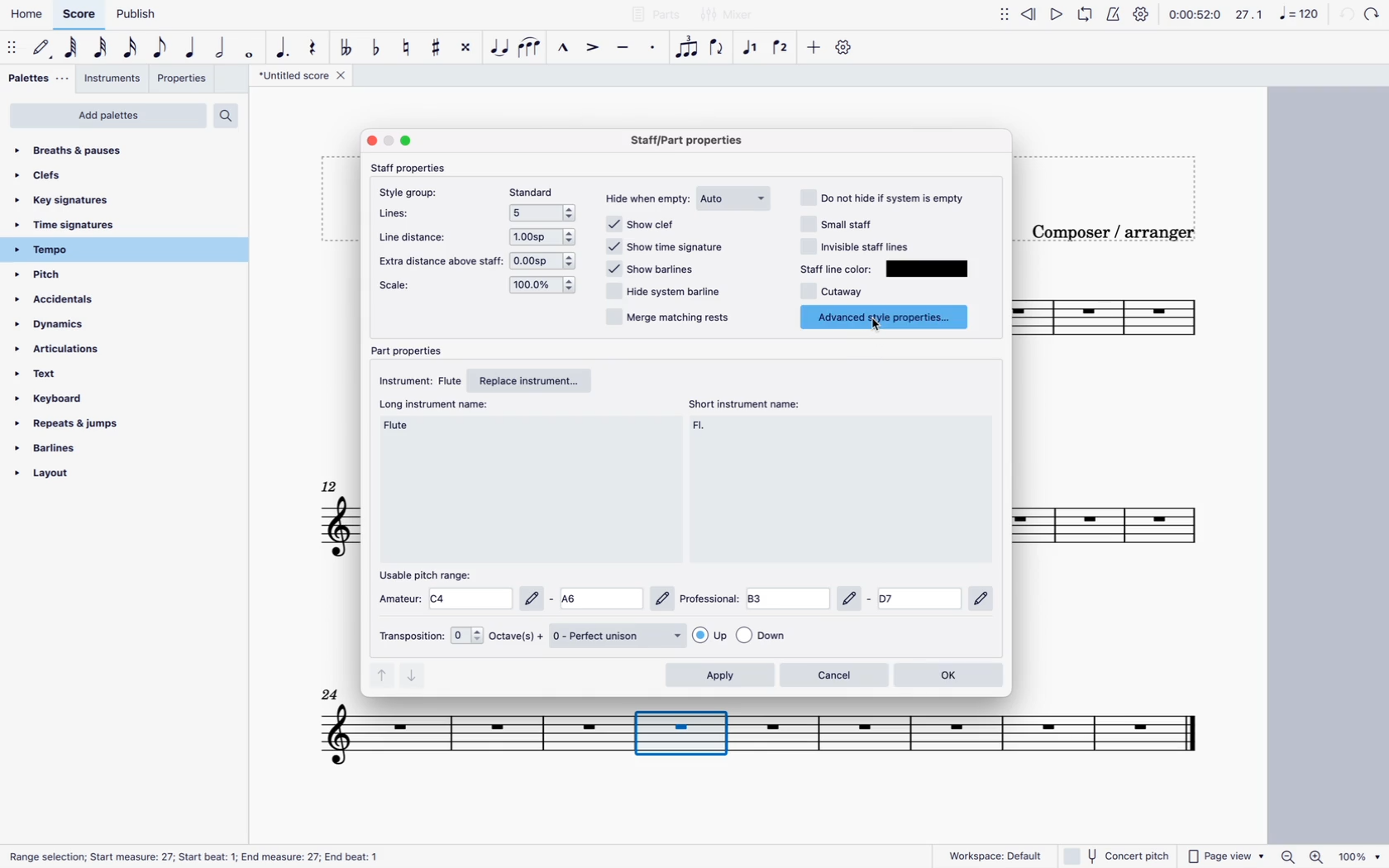  I want to click on composer / arranger, so click(1105, 231).